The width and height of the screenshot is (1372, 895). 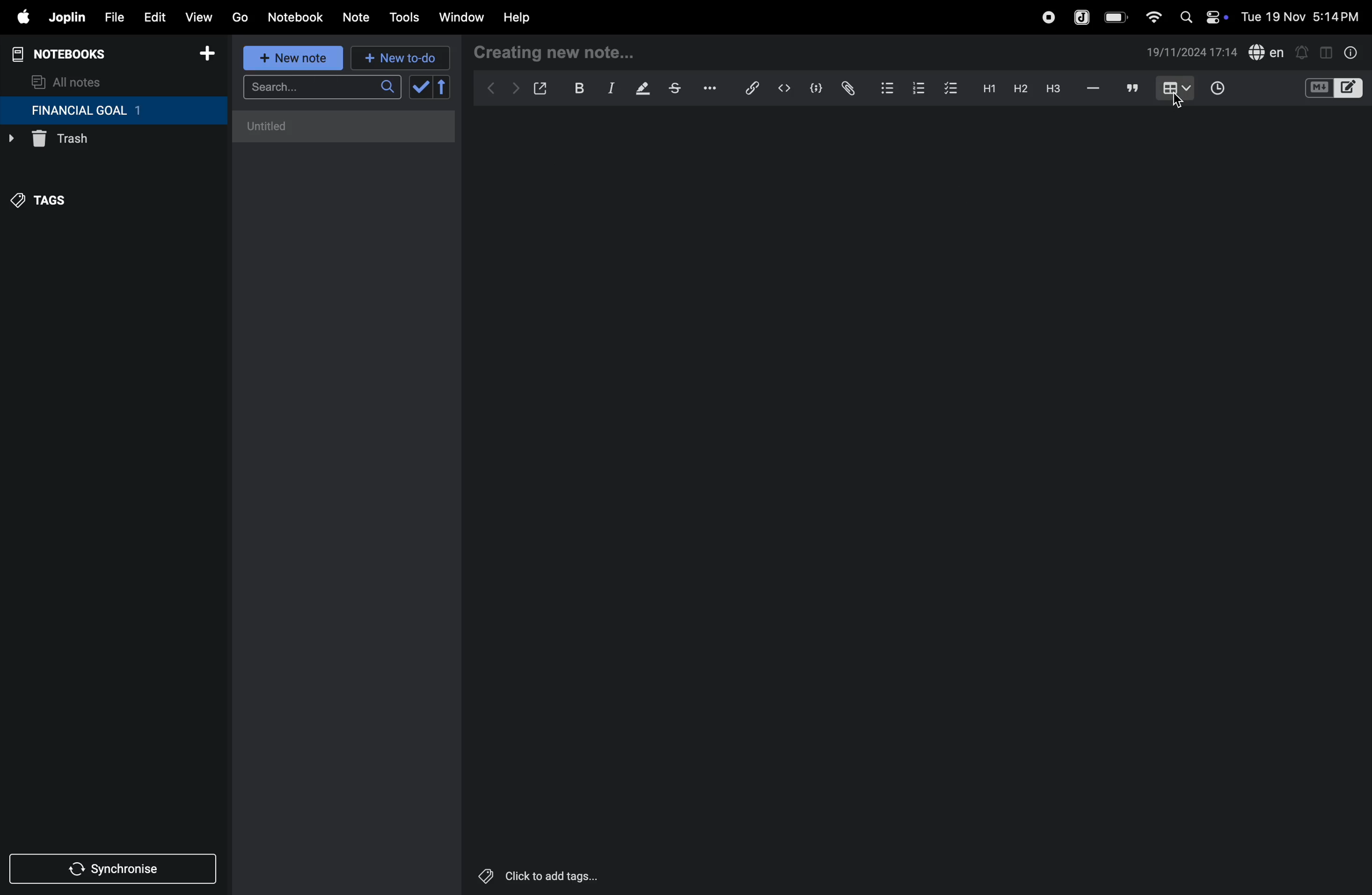 What do you see at coordinates (638, 89) in the screenshot?
I see `mark` at bounding box center [638, 89].